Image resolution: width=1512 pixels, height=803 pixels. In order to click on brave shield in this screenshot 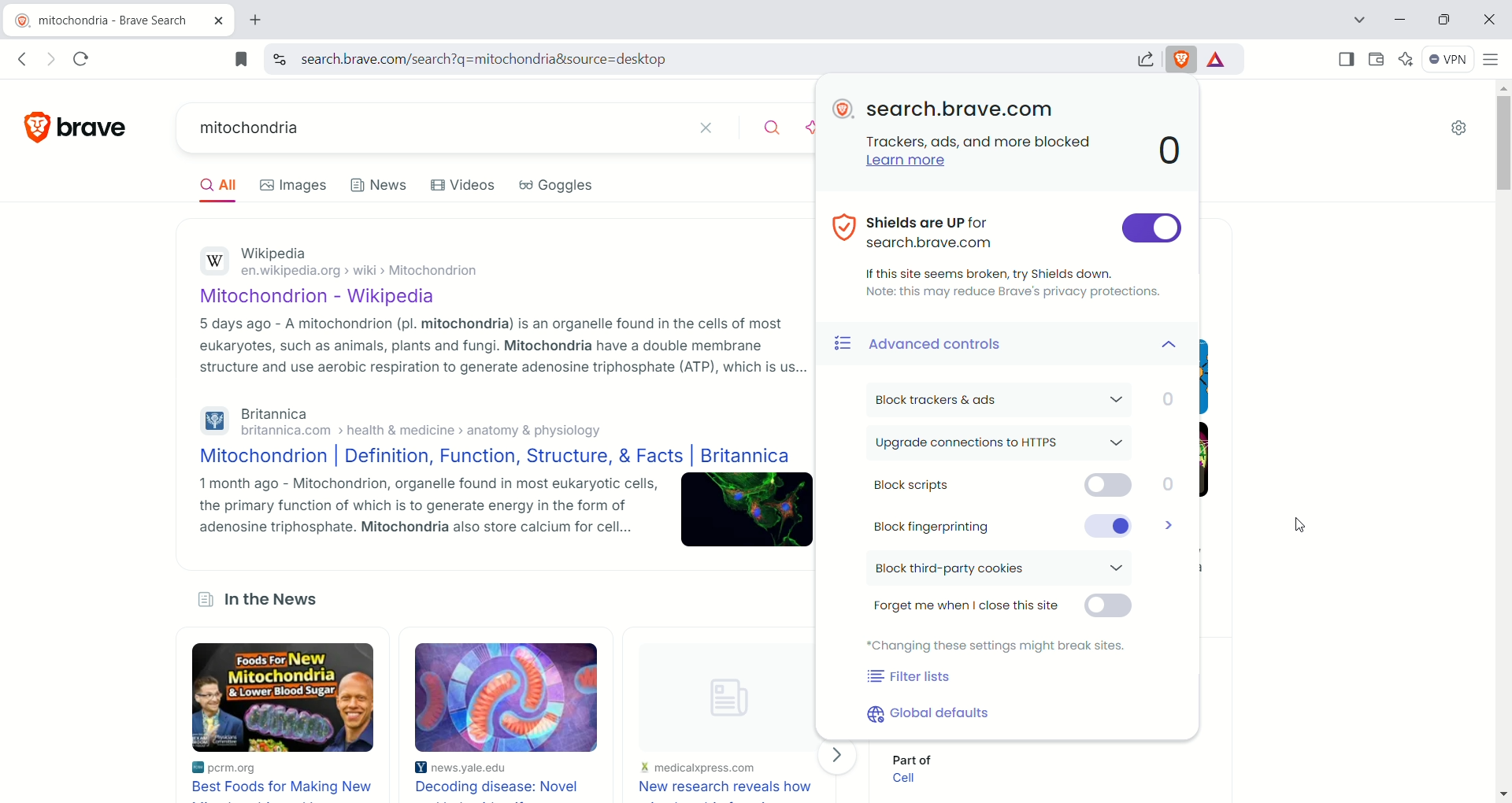, I will do `click(1184, 57)`.